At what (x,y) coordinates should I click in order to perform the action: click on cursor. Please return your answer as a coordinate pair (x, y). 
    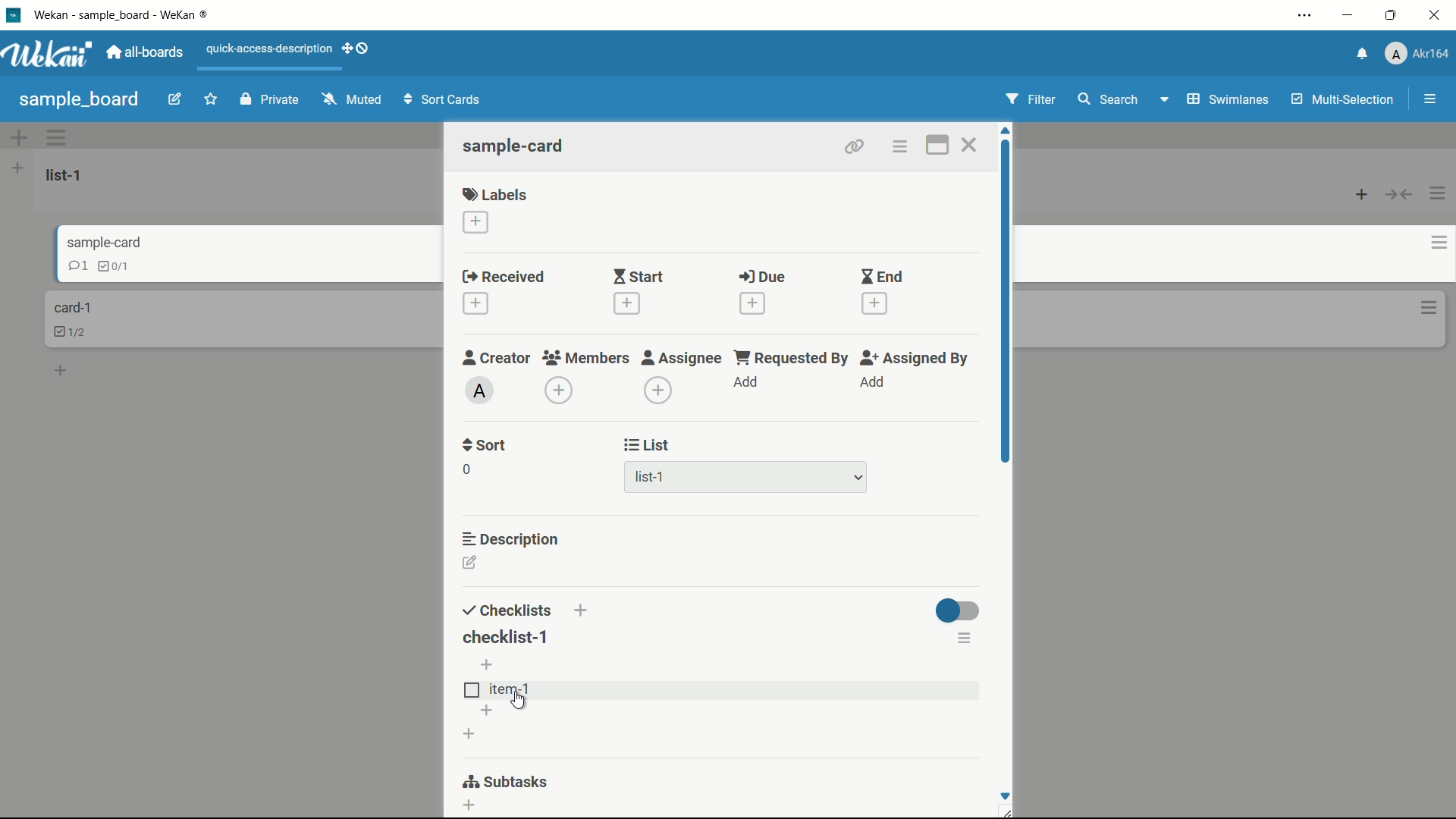
    Looking at the image, I should click on (518, 704).